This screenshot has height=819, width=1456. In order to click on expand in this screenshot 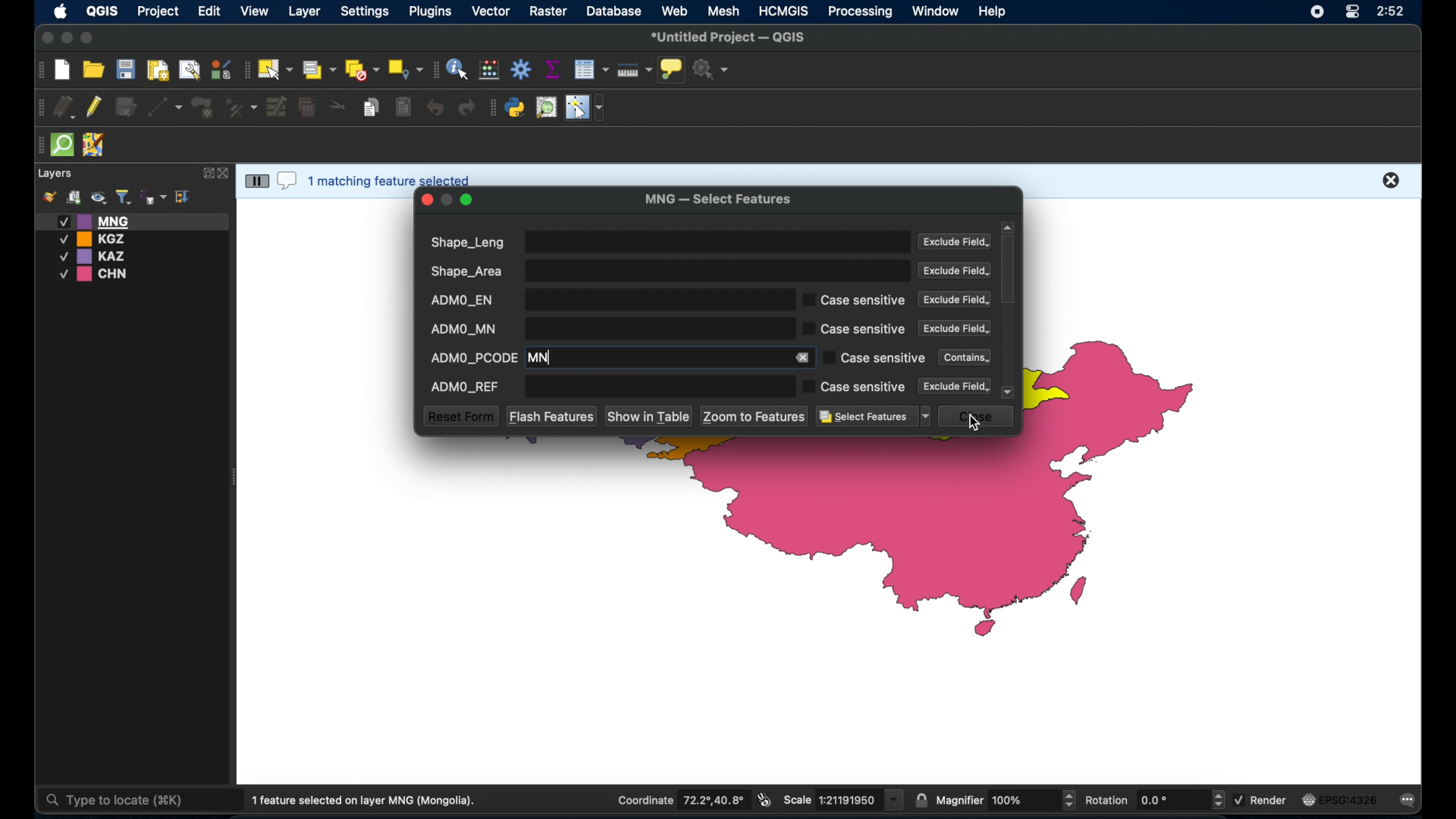, I will do `click(206, 173)`.